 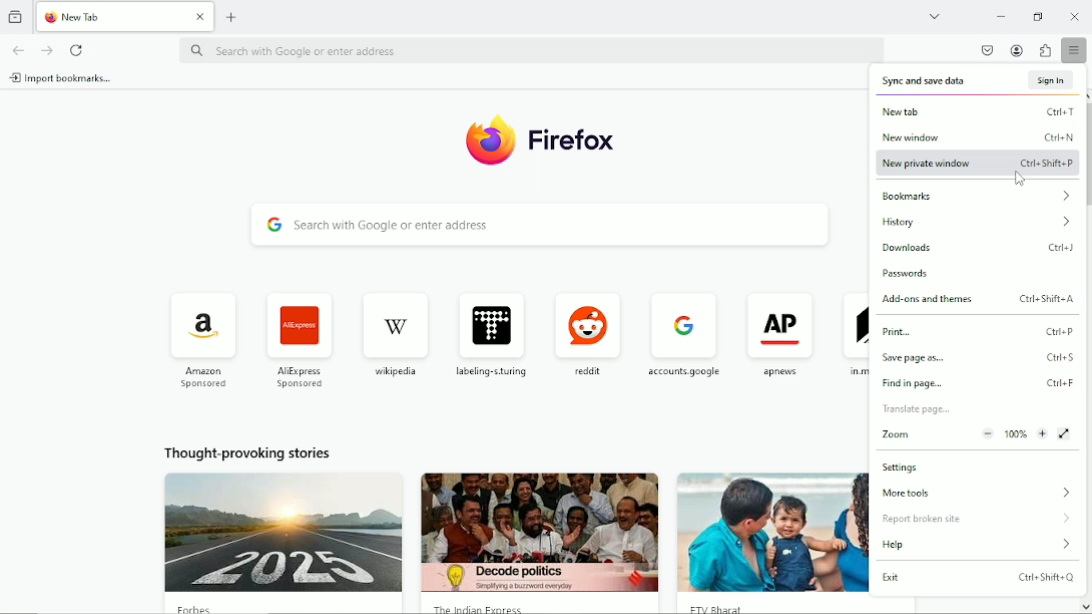 What do you see at coordinates (987, 49) in the screenshot?
I see `save to pocket` at bounding box center [987, 49].